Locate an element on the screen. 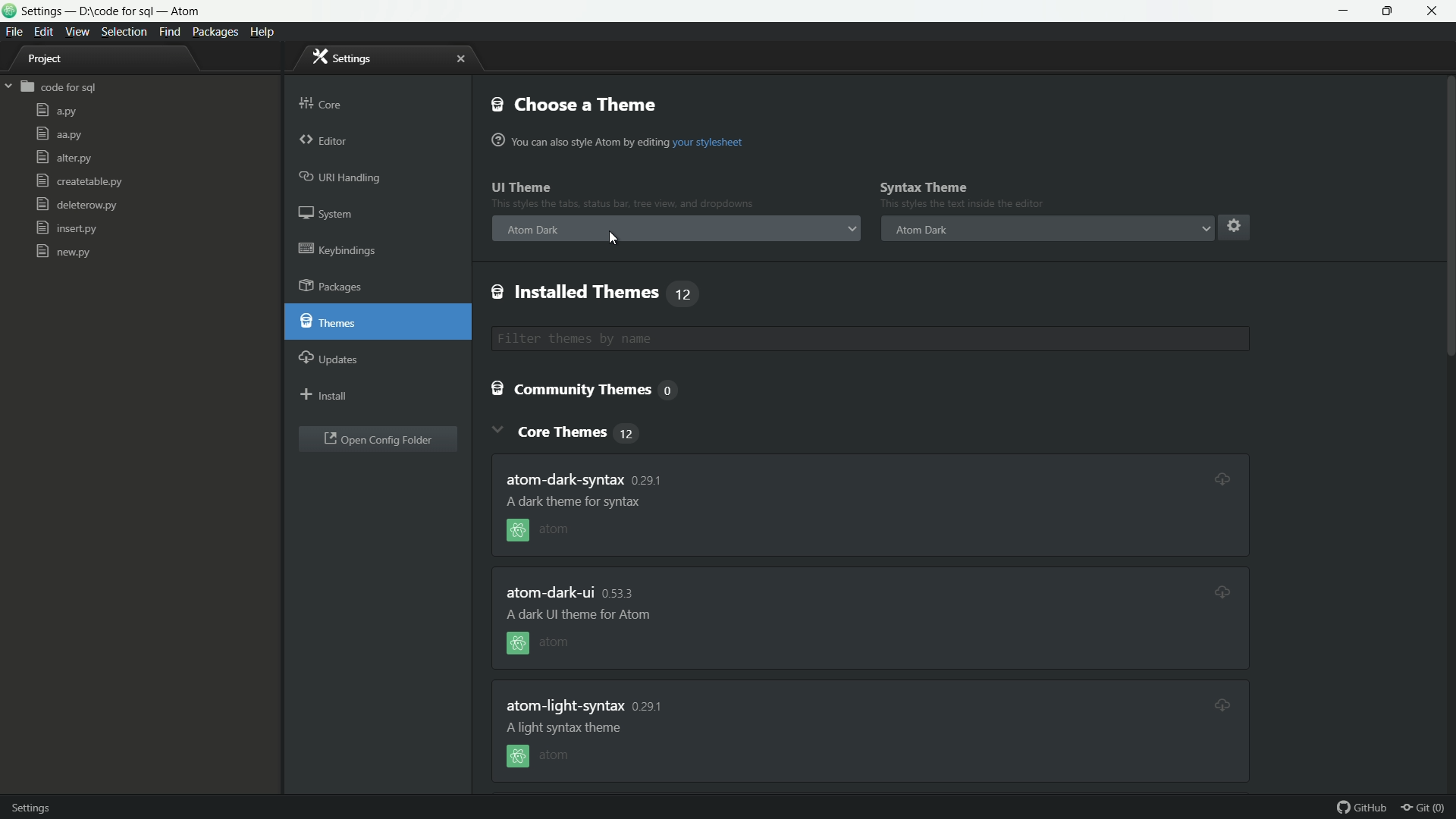 This screenshot has height=819, width=1456. system is located at coordinates (329, 216).